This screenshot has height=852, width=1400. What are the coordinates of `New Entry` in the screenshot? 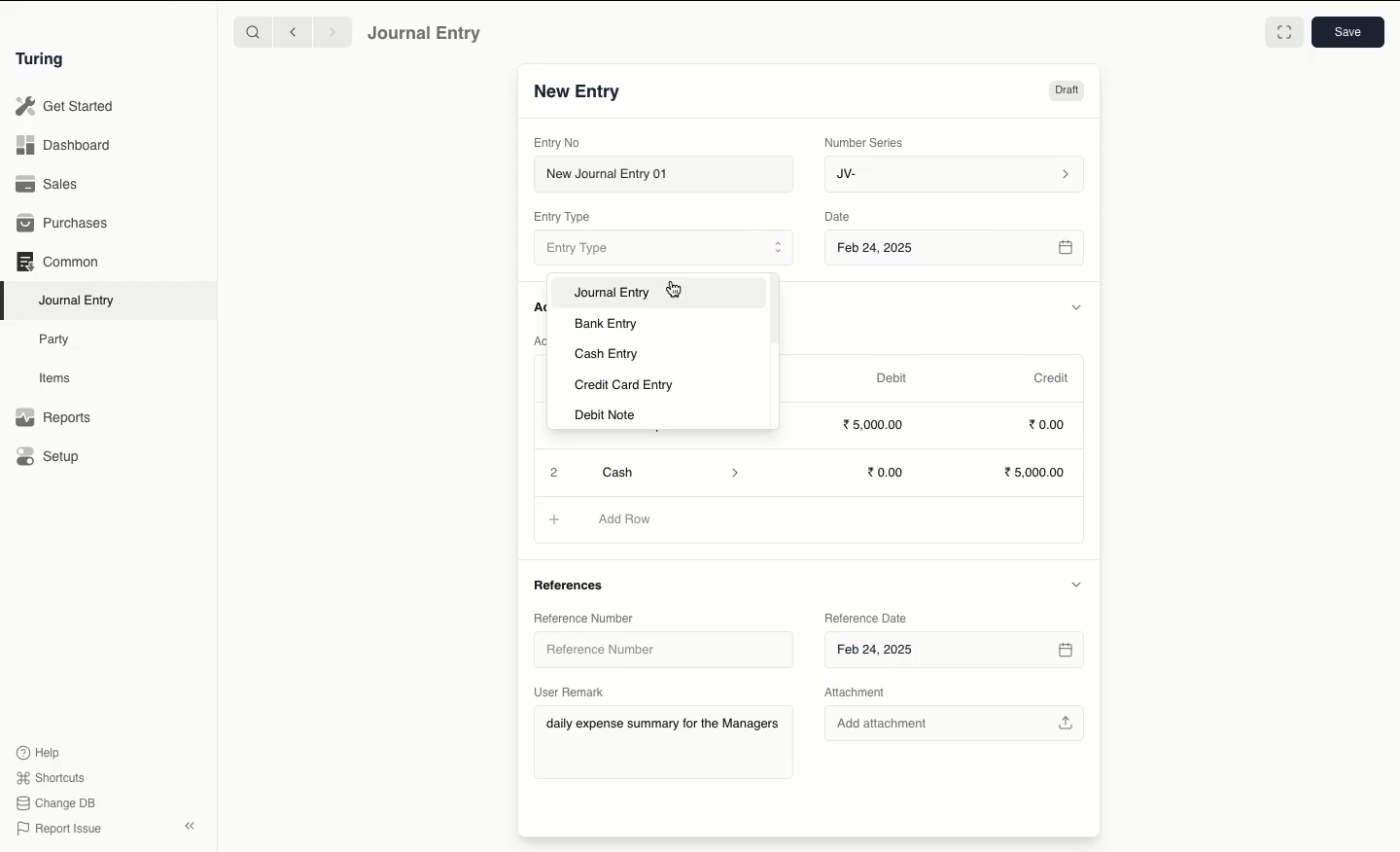 It's located at (578, 92).